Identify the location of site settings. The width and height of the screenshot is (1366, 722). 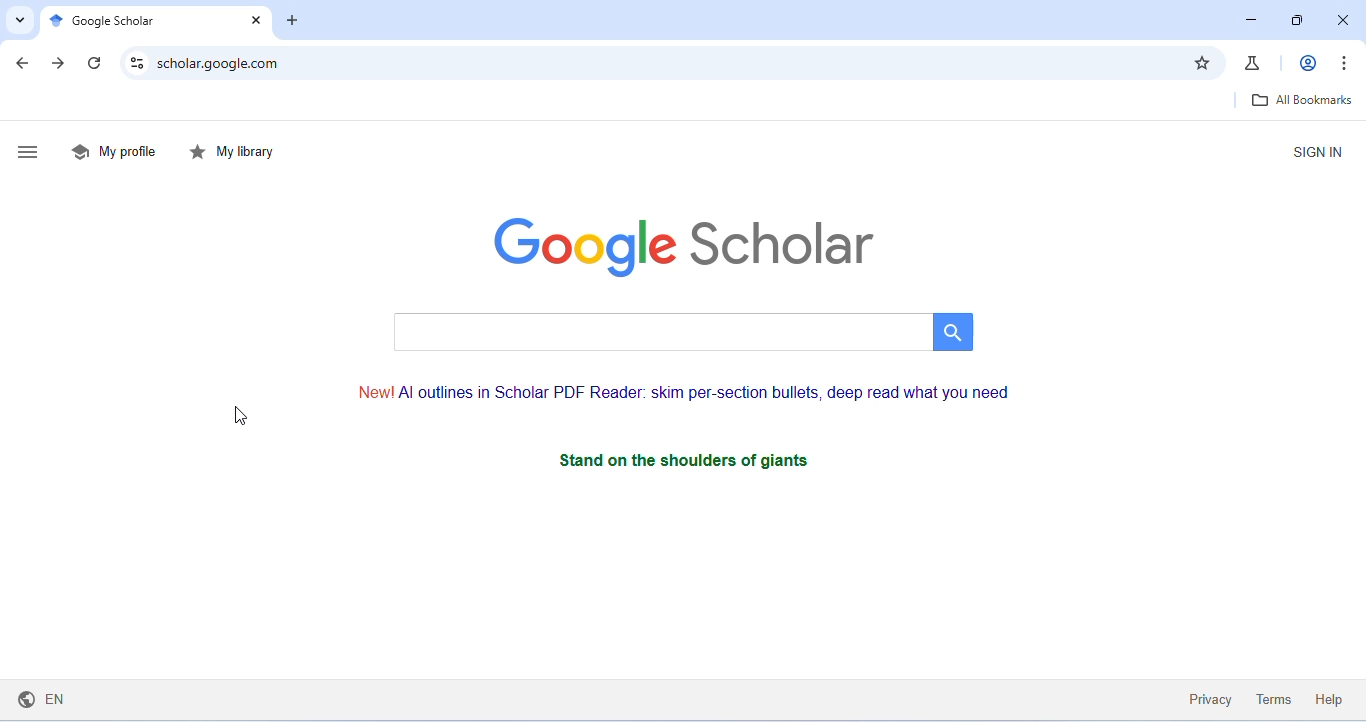
(138, 62).